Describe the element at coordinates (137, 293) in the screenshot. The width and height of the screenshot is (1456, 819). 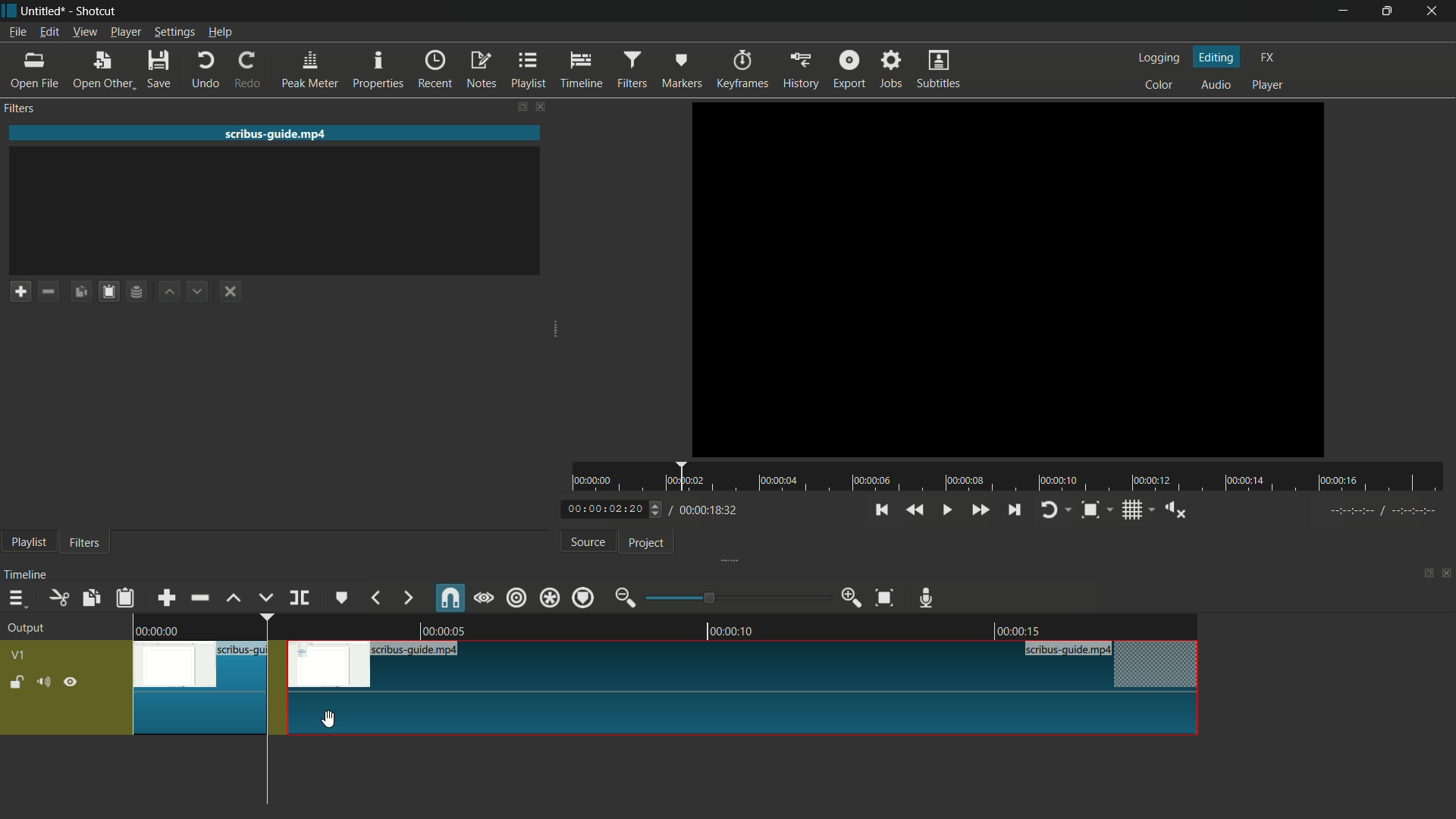
I see `save filter set` at that location.